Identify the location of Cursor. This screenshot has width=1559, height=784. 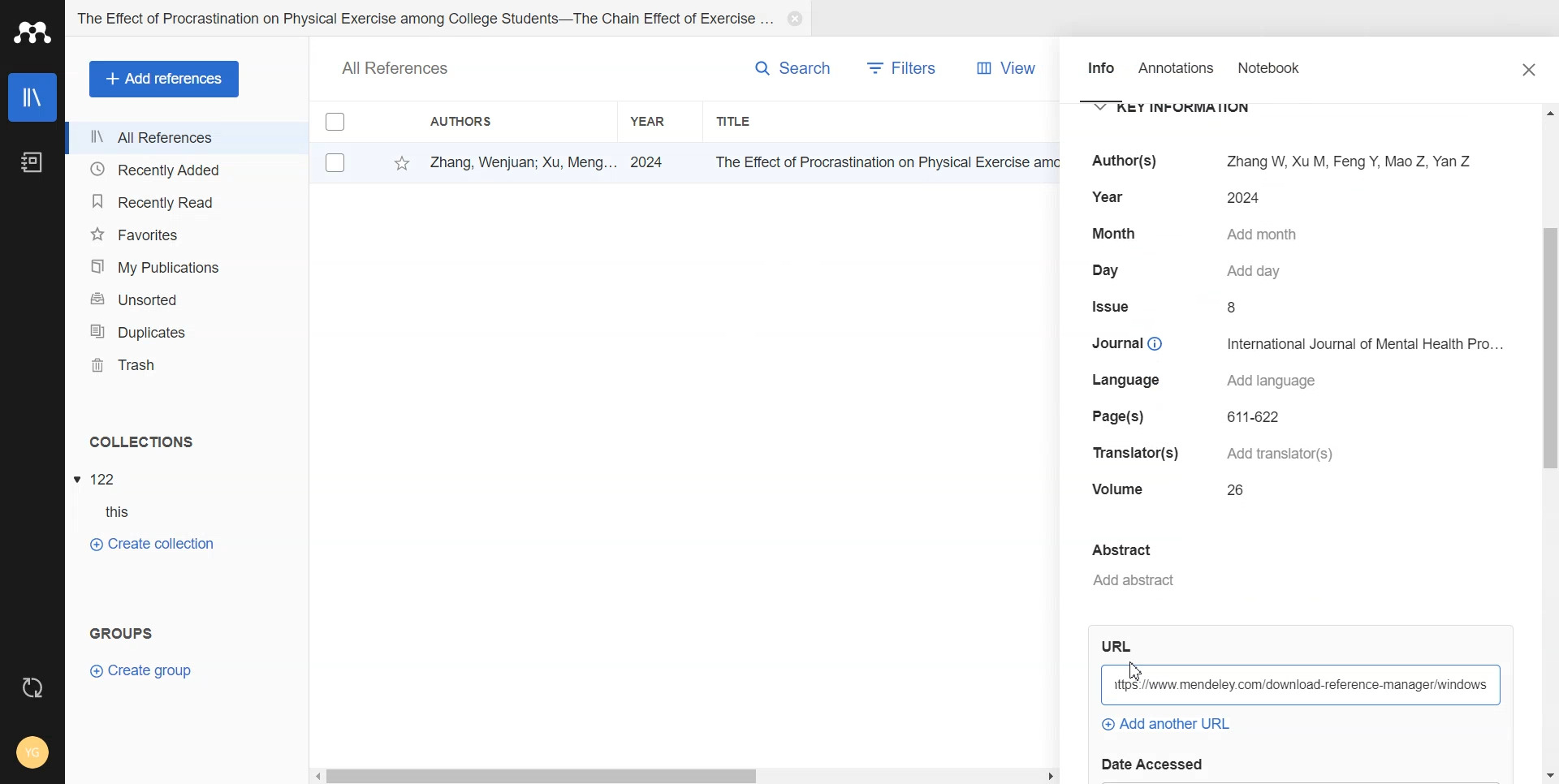
(1137, 672).